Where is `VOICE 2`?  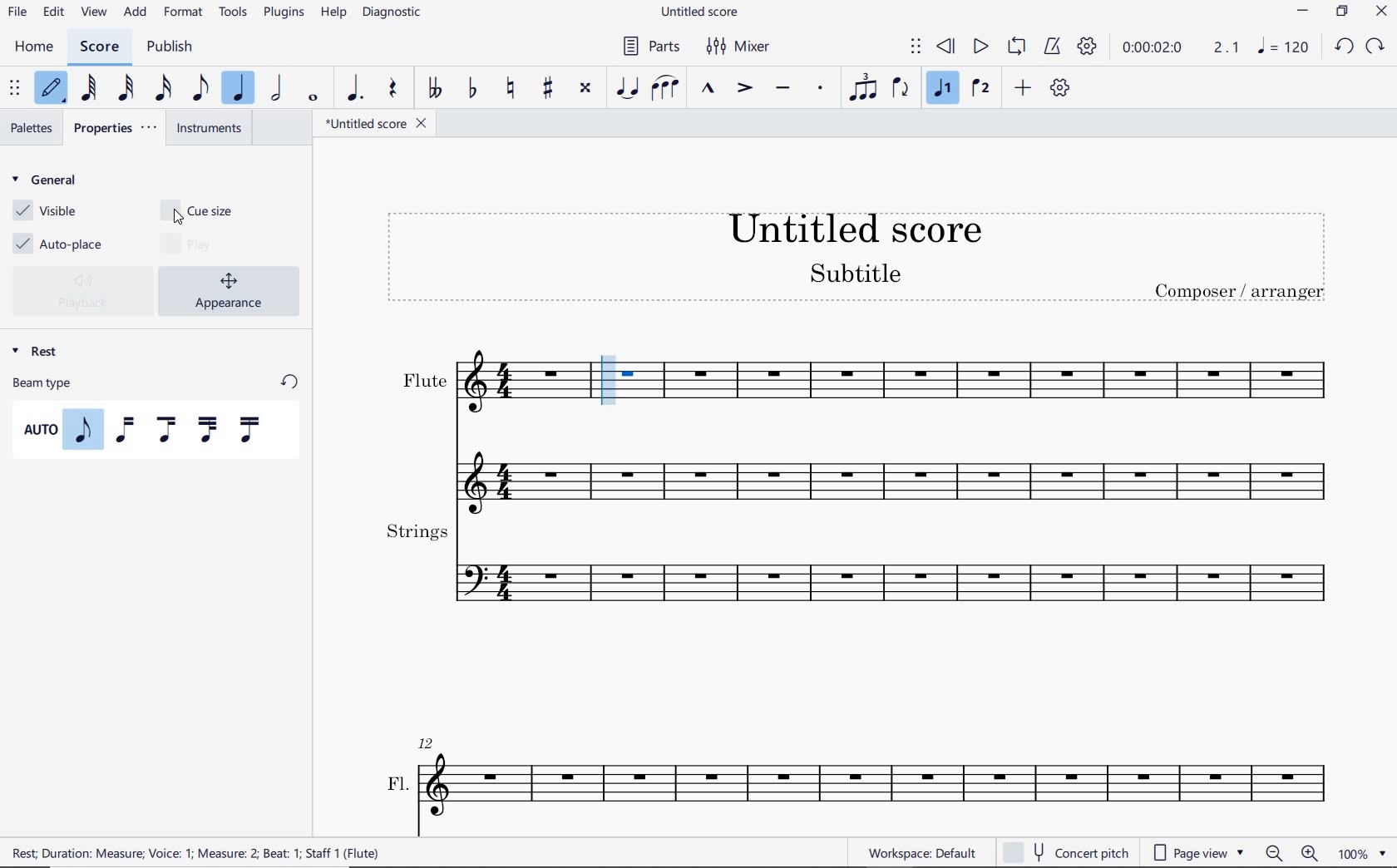 VOICE 2 is located at coordinates (980, 89).